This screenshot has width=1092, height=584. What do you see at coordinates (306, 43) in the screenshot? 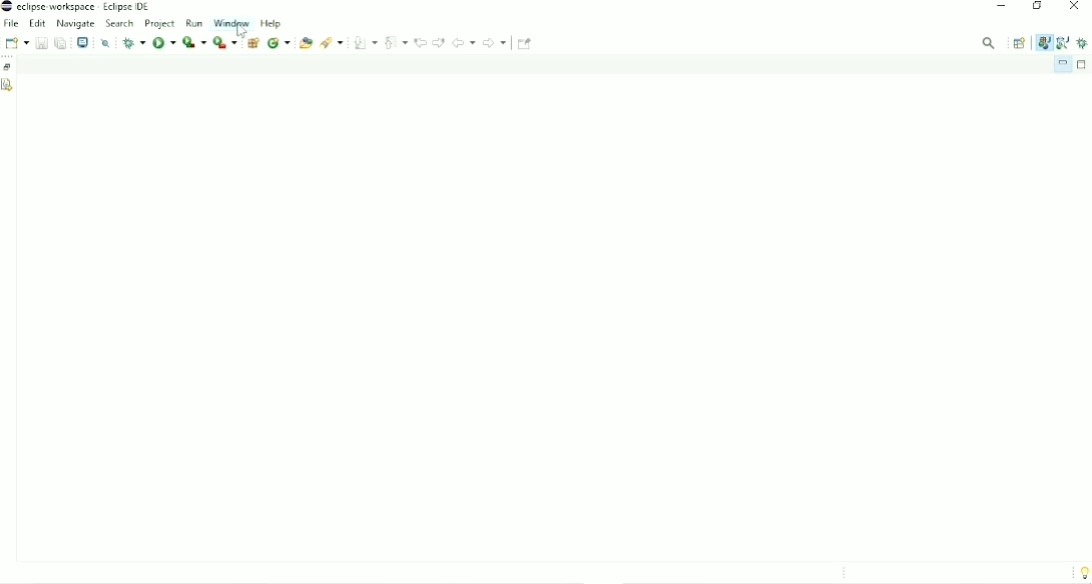
I see `Open Type` at bounding box center [306, 43].